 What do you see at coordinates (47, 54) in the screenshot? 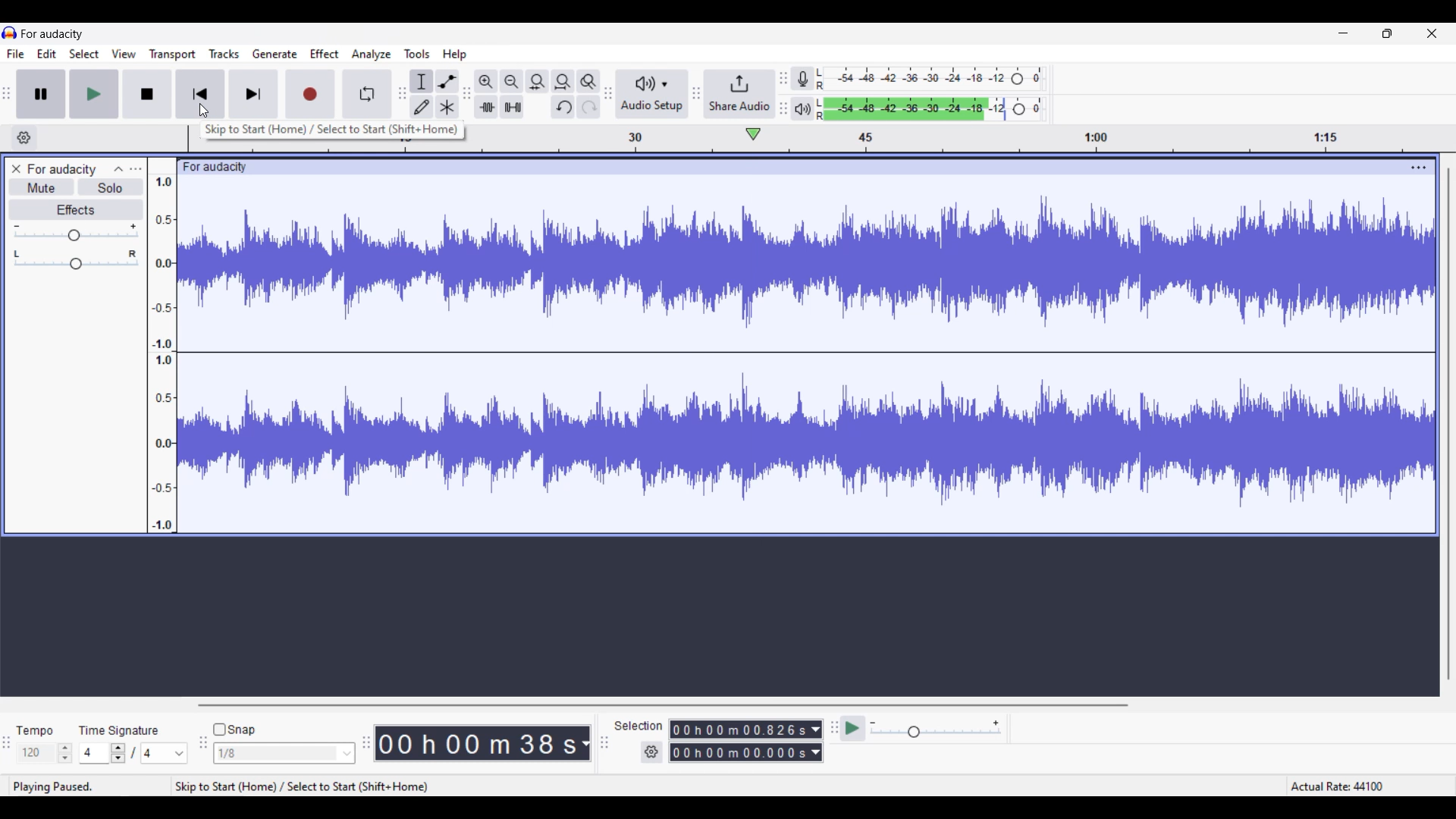
I see `Edit menu` at bounding box center [47, 54].